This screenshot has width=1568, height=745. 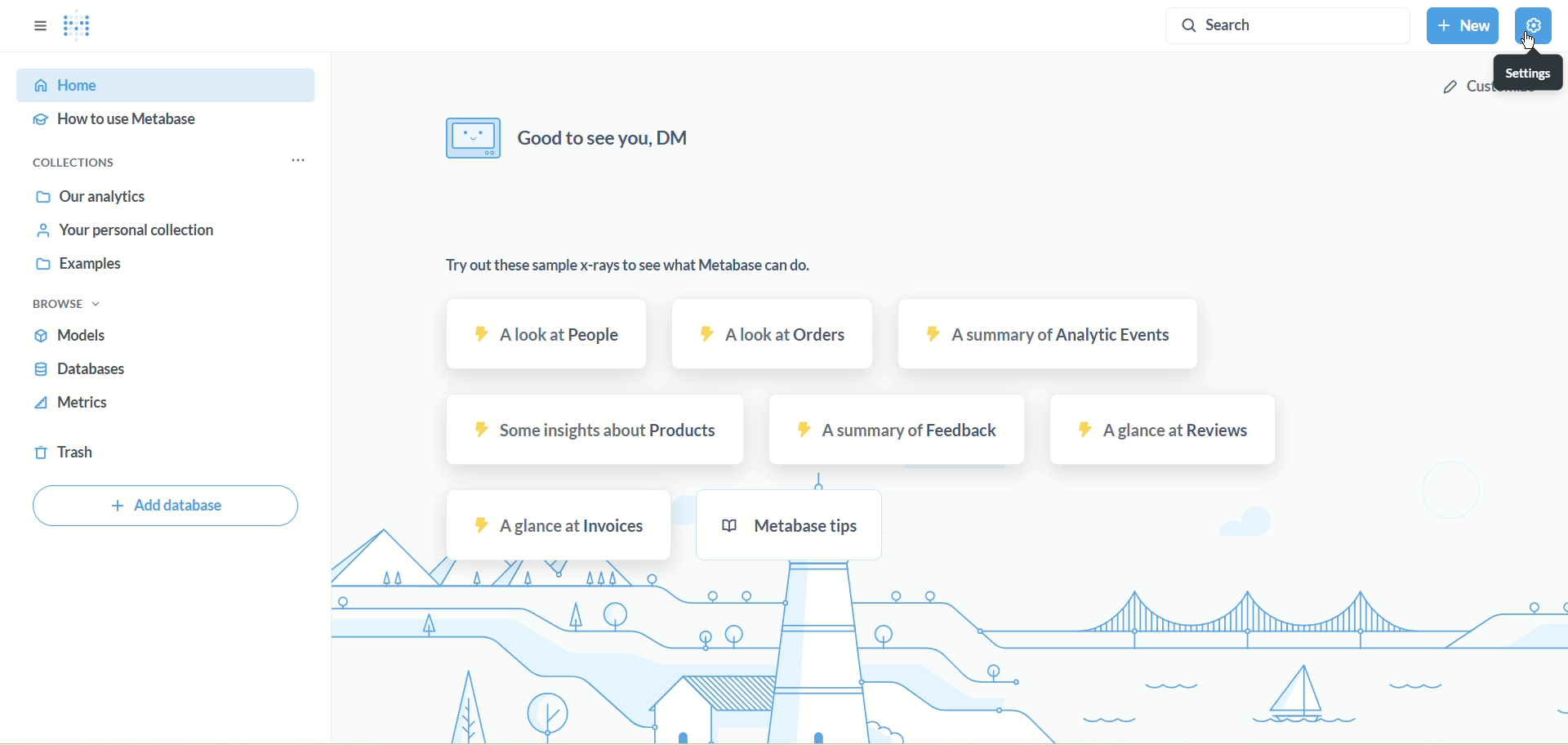 I want to click on Try out these sample x-rays to see what Metabase can do., so click(x=629, y=265).